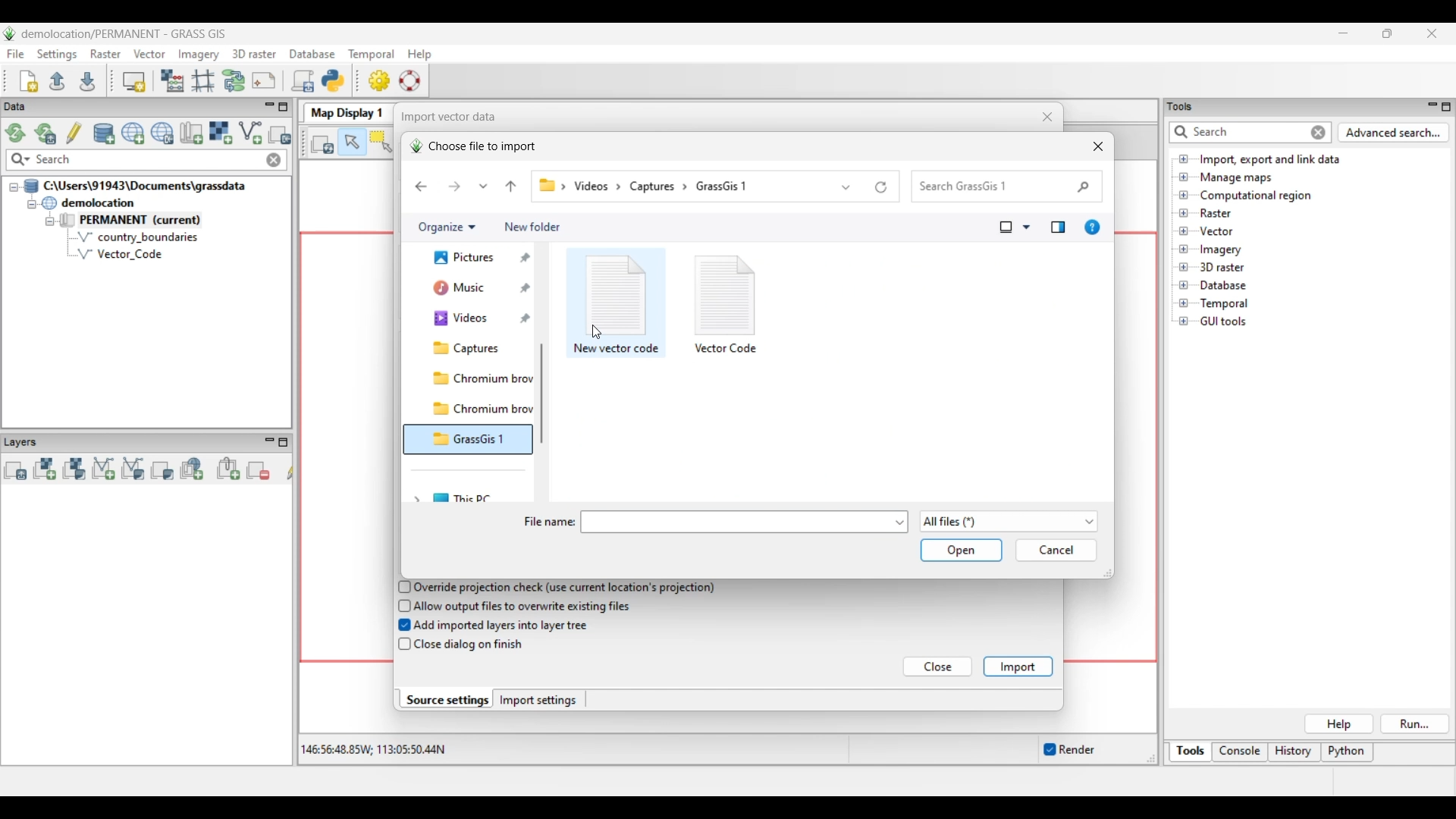  What do you see at coordinates (1184, 285) in the screenshot?
I see `Click to open Database` at bounding box center [1184, 285].